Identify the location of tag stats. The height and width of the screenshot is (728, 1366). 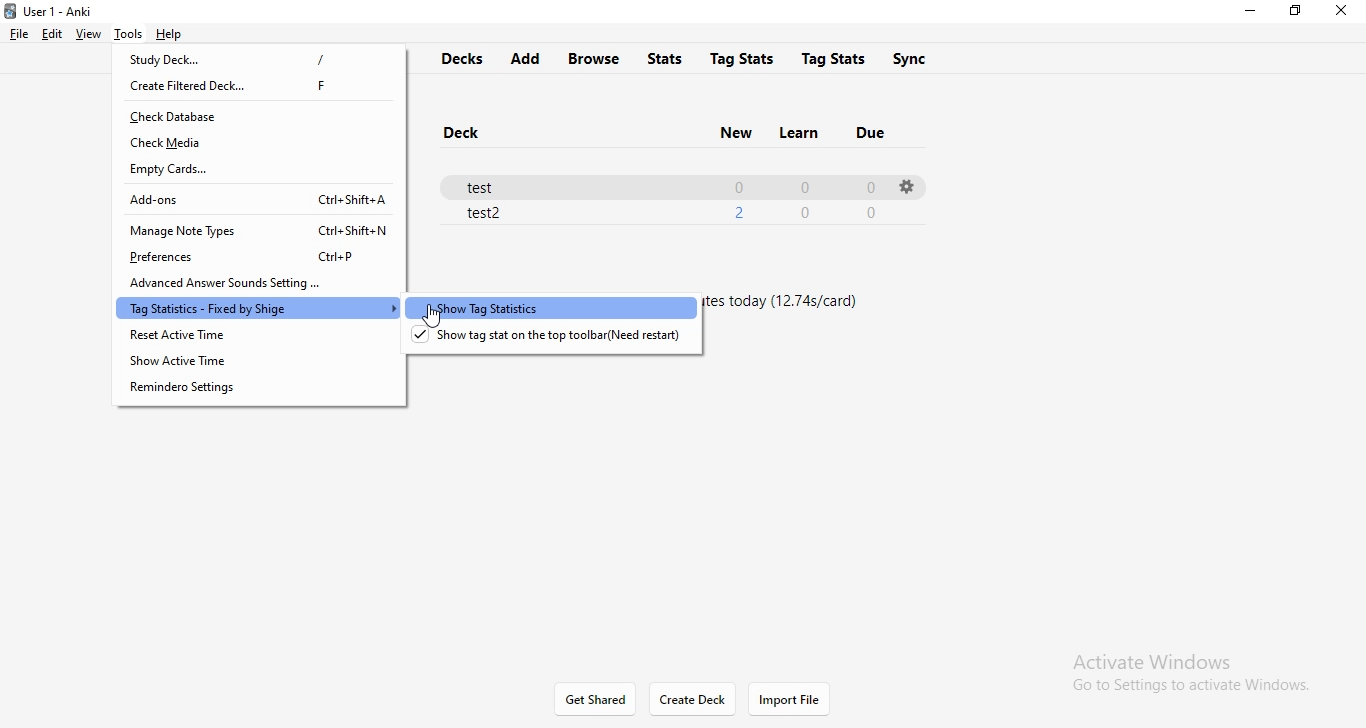
(836, 58).